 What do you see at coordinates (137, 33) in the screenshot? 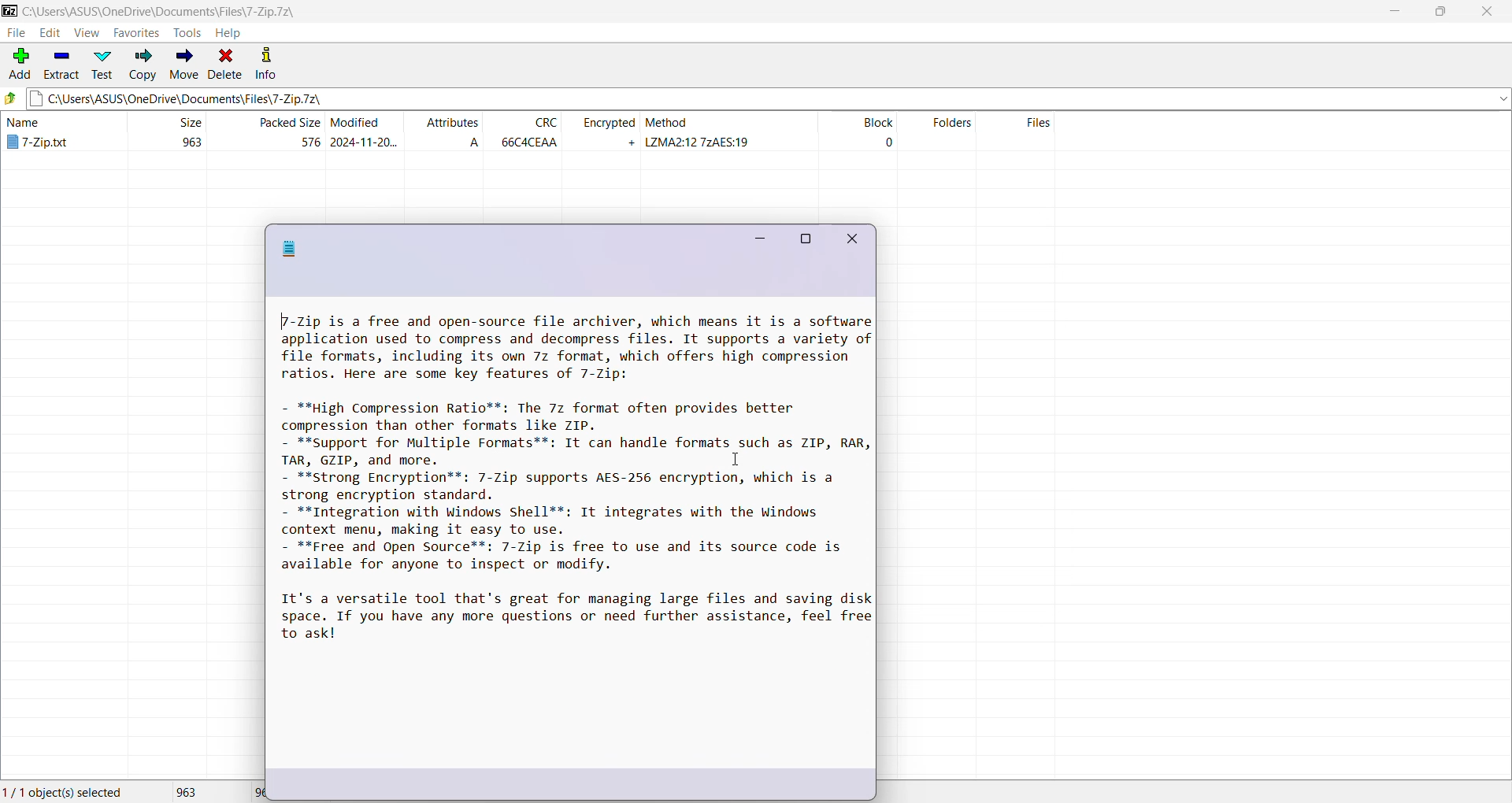
I see `Favorites` at bounding box center [137, 33].